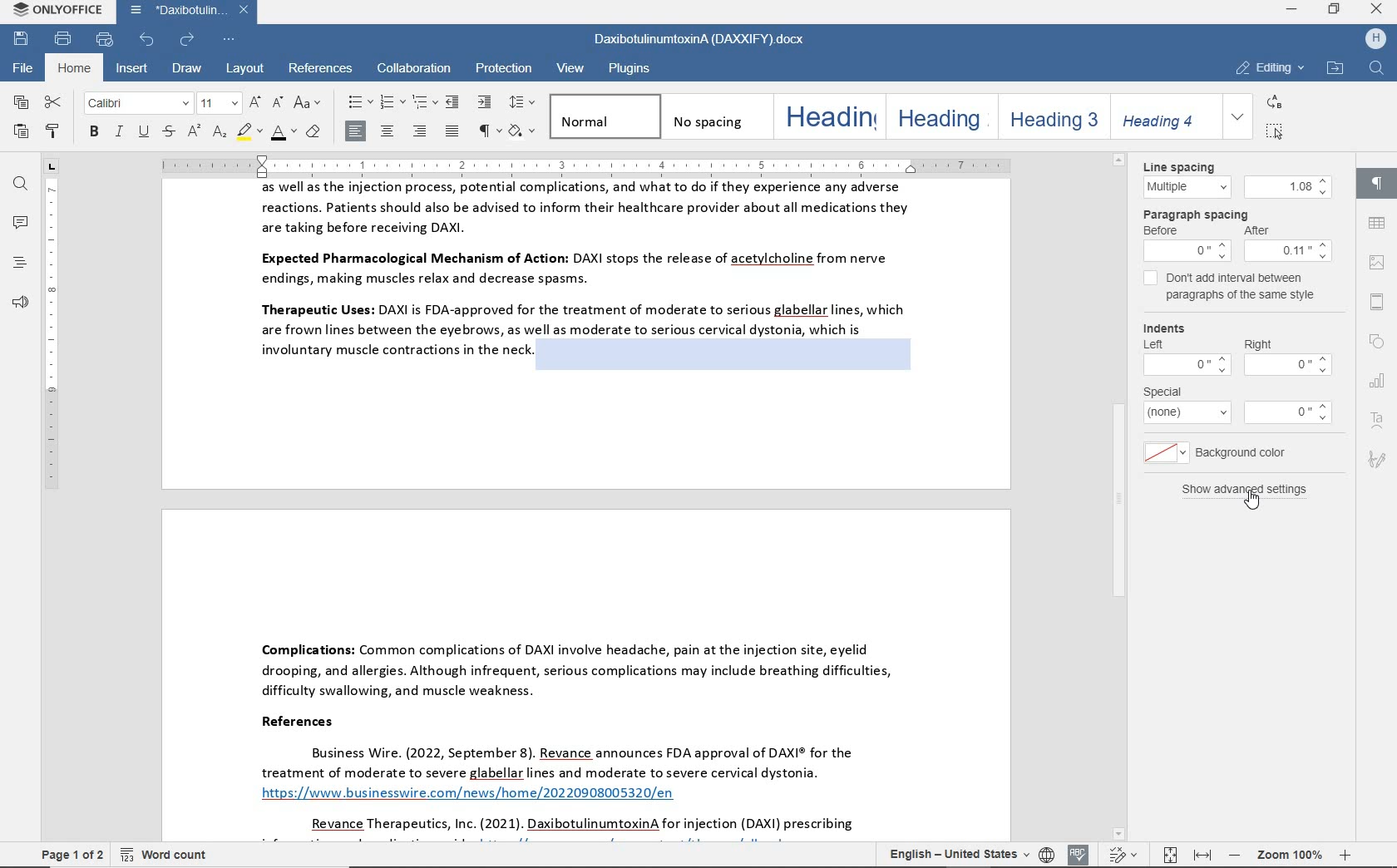  I want to click on chart, so click(1378, 379).